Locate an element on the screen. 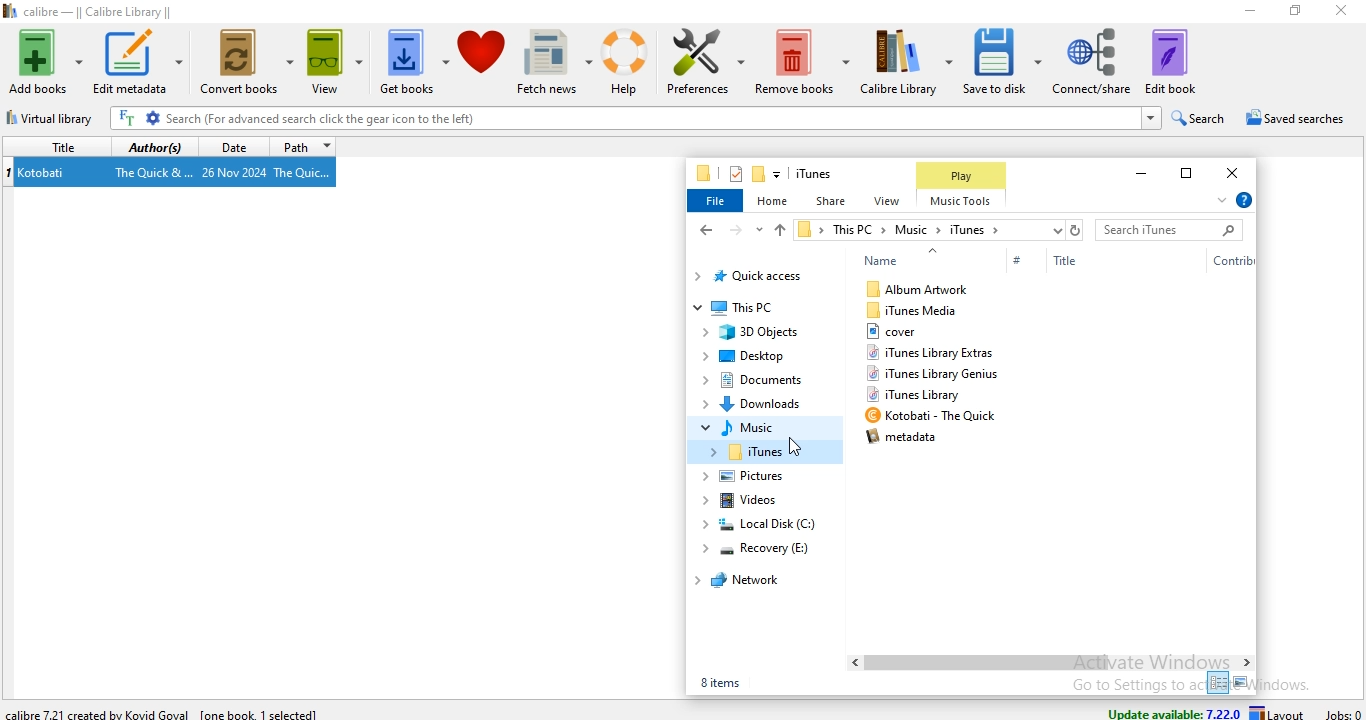 This screenshot has height=720, width=1366. 3D Objects is located at coordinates (753, 334).